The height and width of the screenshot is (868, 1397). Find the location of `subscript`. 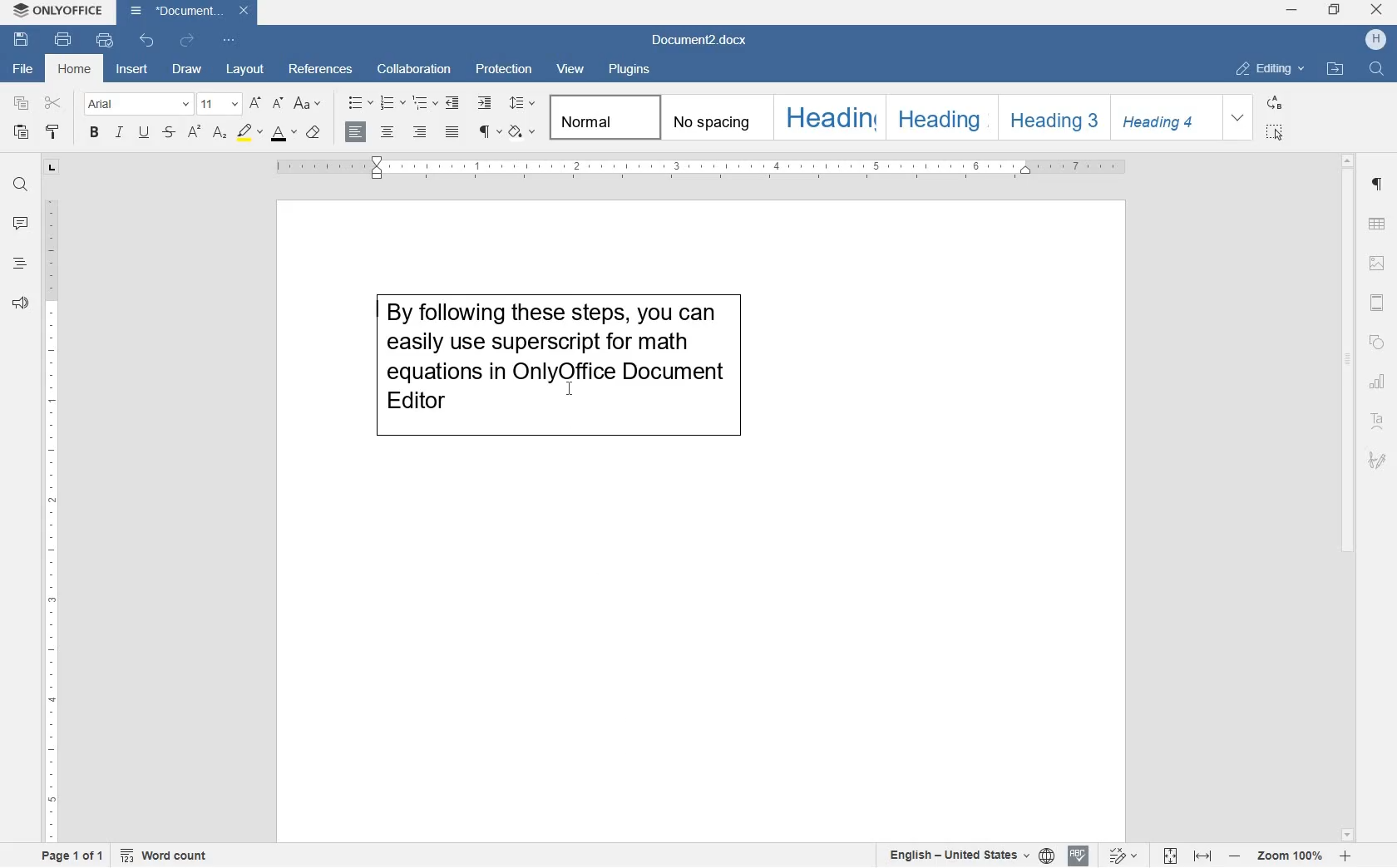

subscript is located at coordinates (220, 134).